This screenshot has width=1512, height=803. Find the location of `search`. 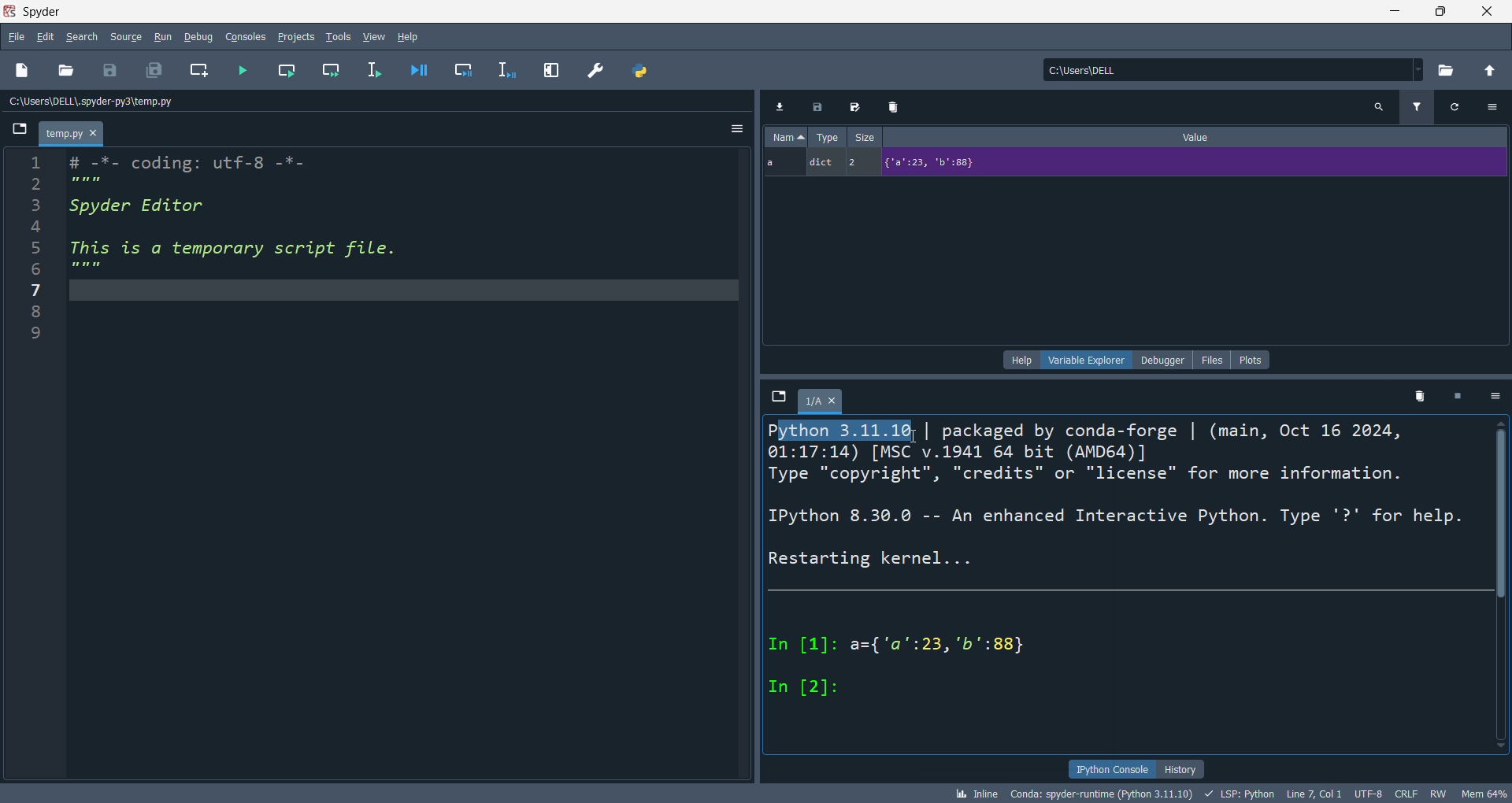

search is located at coordinates (78, 37).